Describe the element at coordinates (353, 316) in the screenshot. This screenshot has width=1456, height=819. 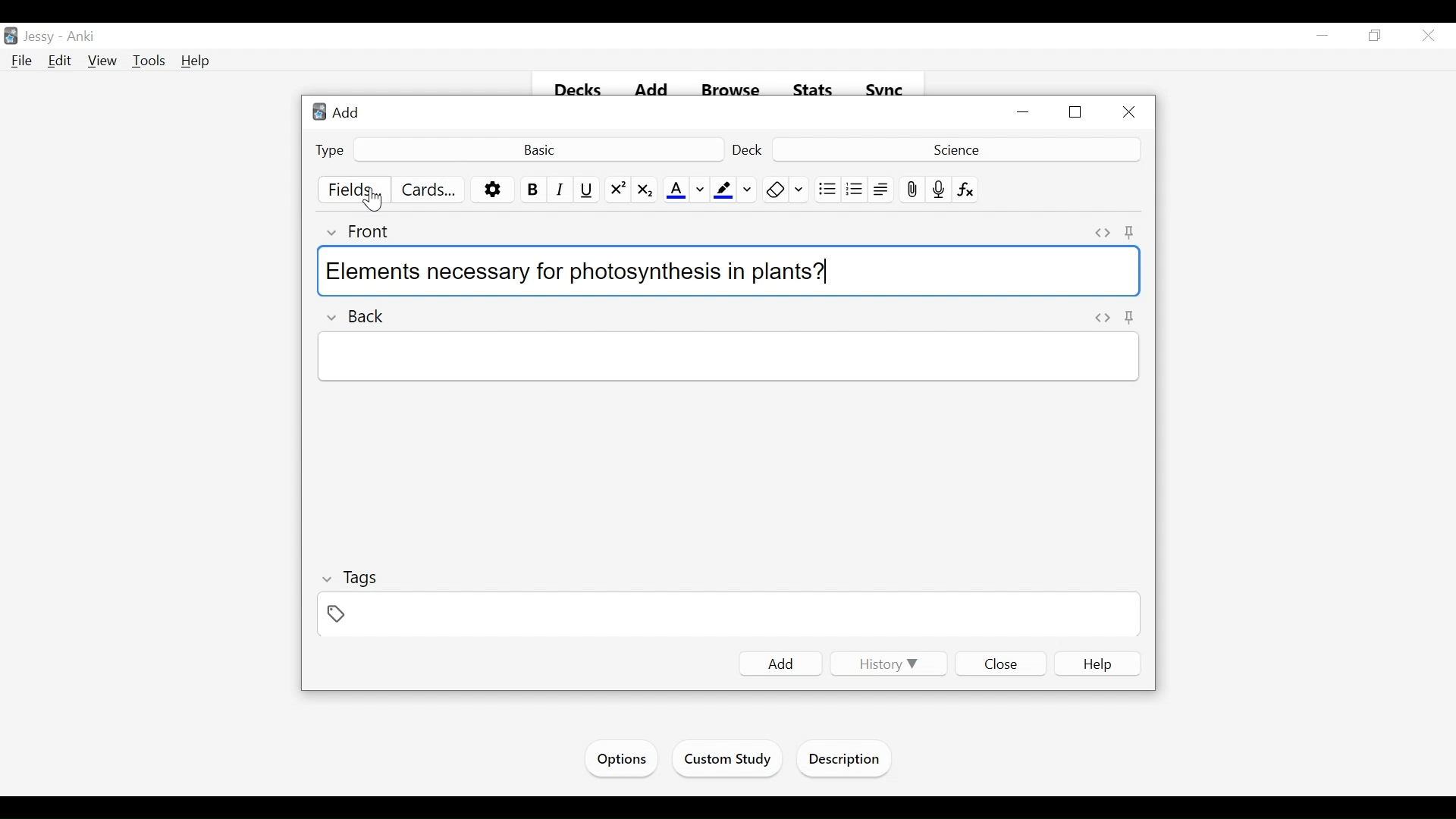
I see `Back ` at that location.